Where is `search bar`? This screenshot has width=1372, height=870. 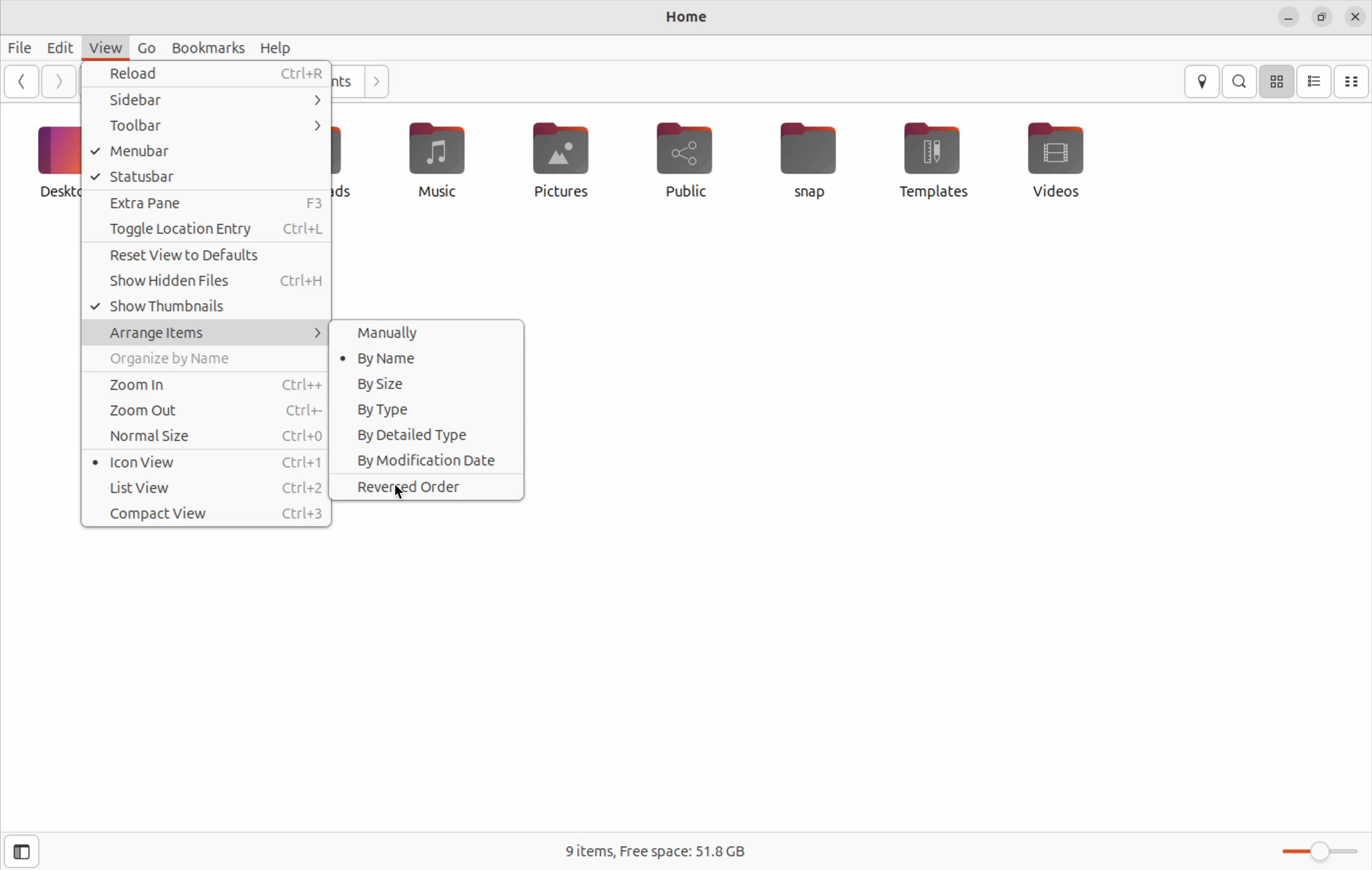 search bar is located at coordinates (1240, 80).